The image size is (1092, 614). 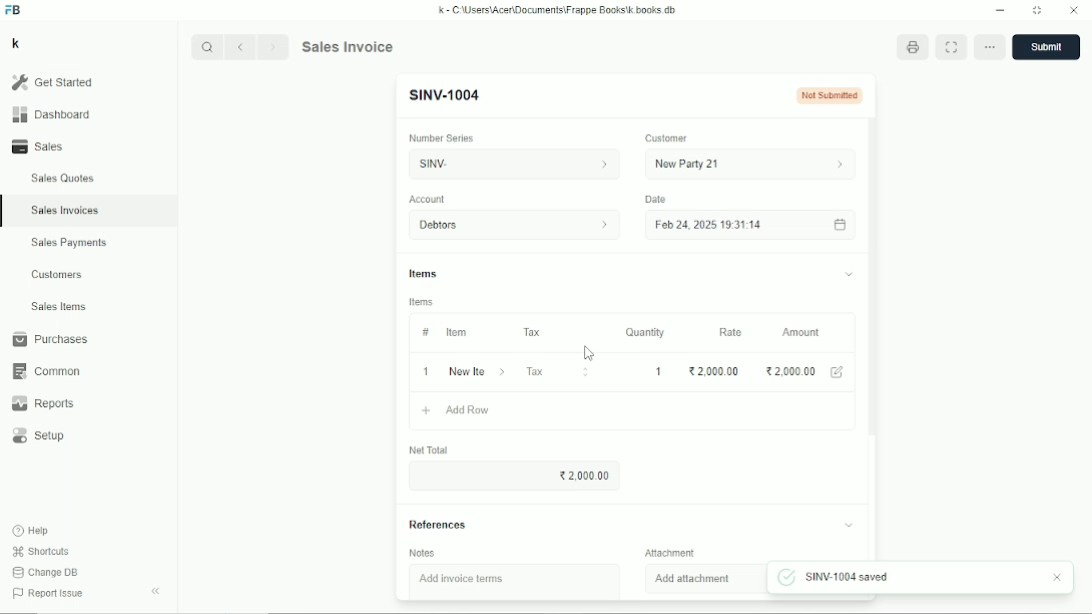 I want to click on Shortcuts, so click(x=40, y=551).